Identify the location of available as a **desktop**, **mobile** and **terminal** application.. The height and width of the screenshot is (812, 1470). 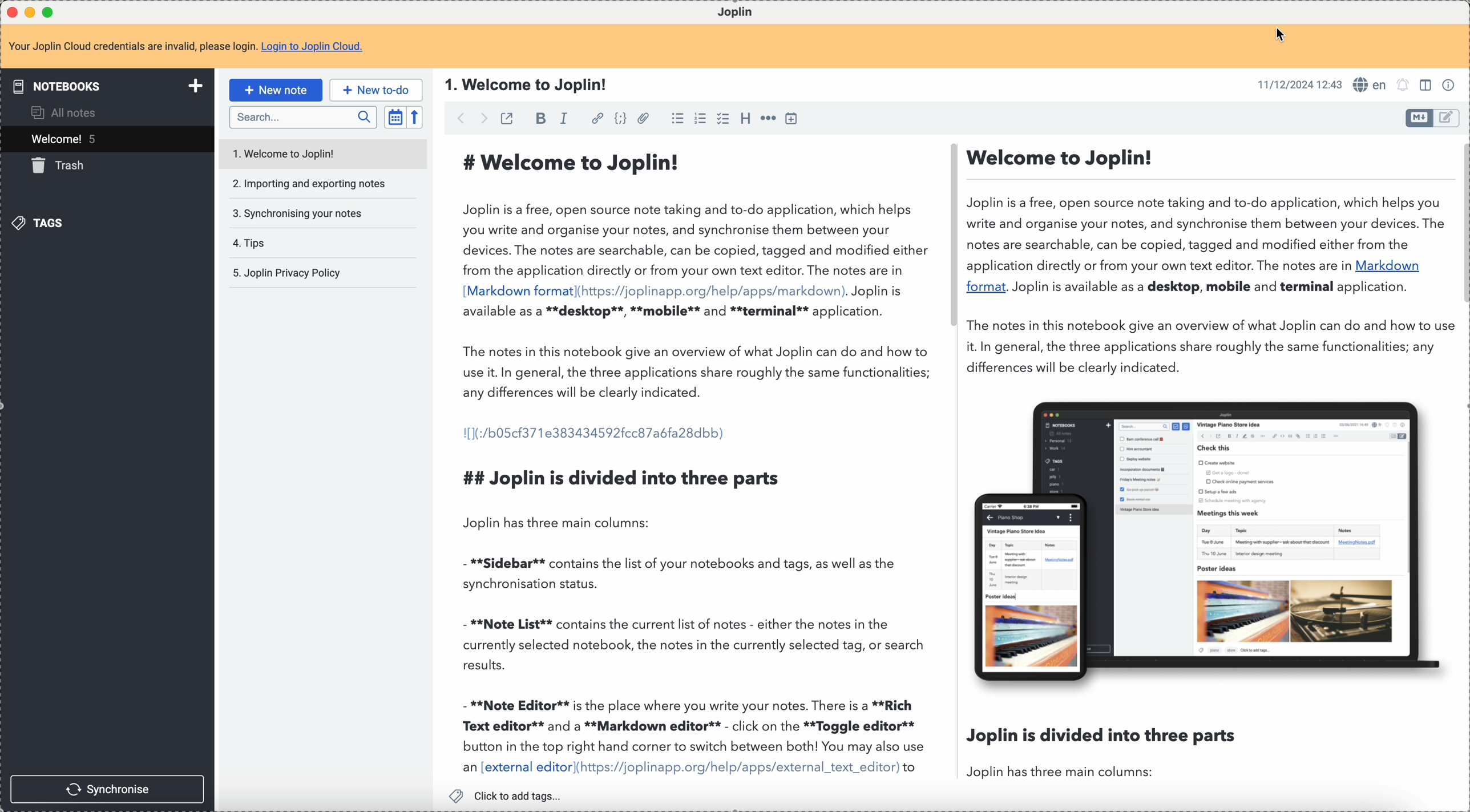
(673, 313).